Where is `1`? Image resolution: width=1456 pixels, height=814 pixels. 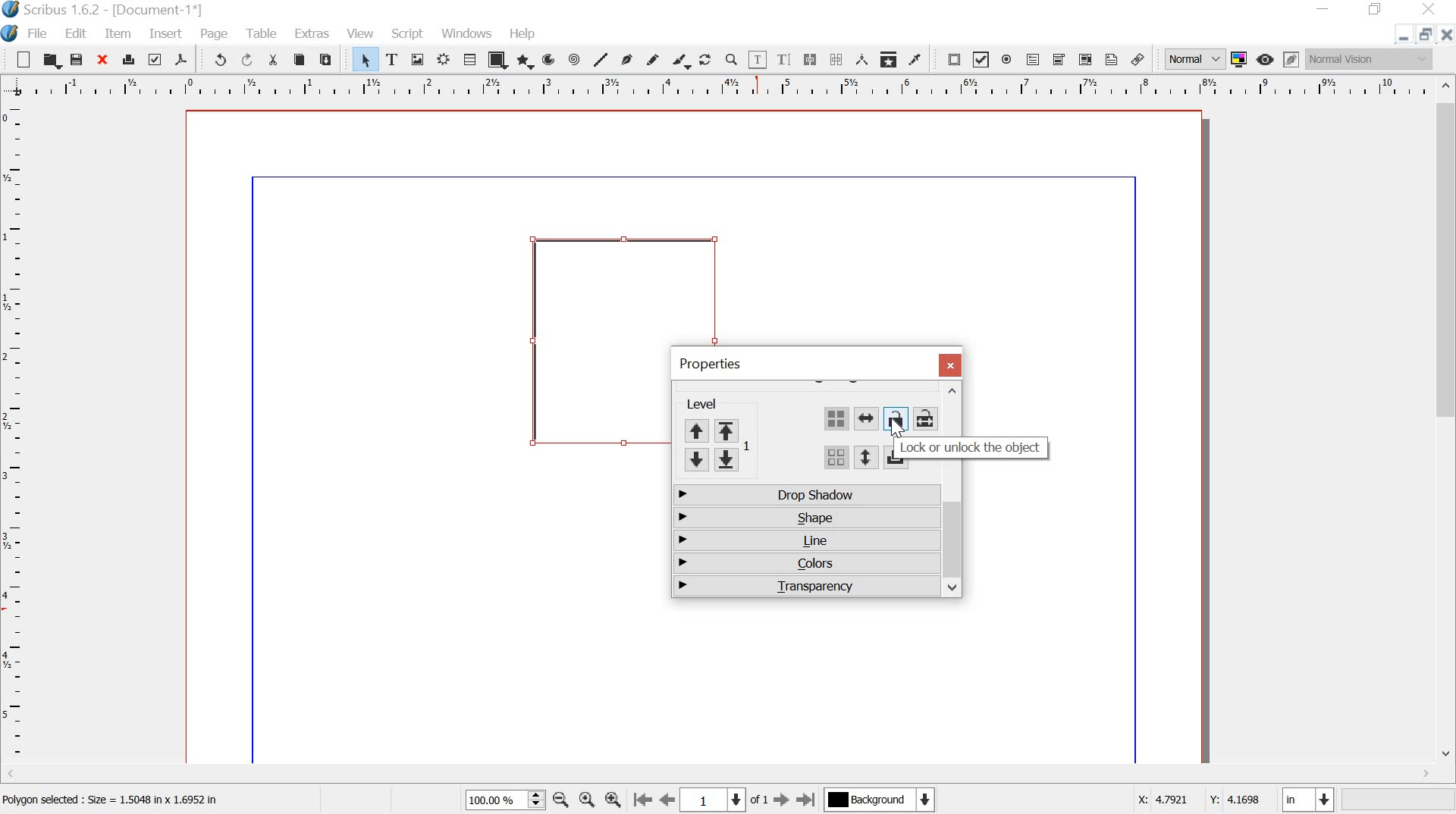 1 is located at coordinates (713, 800).